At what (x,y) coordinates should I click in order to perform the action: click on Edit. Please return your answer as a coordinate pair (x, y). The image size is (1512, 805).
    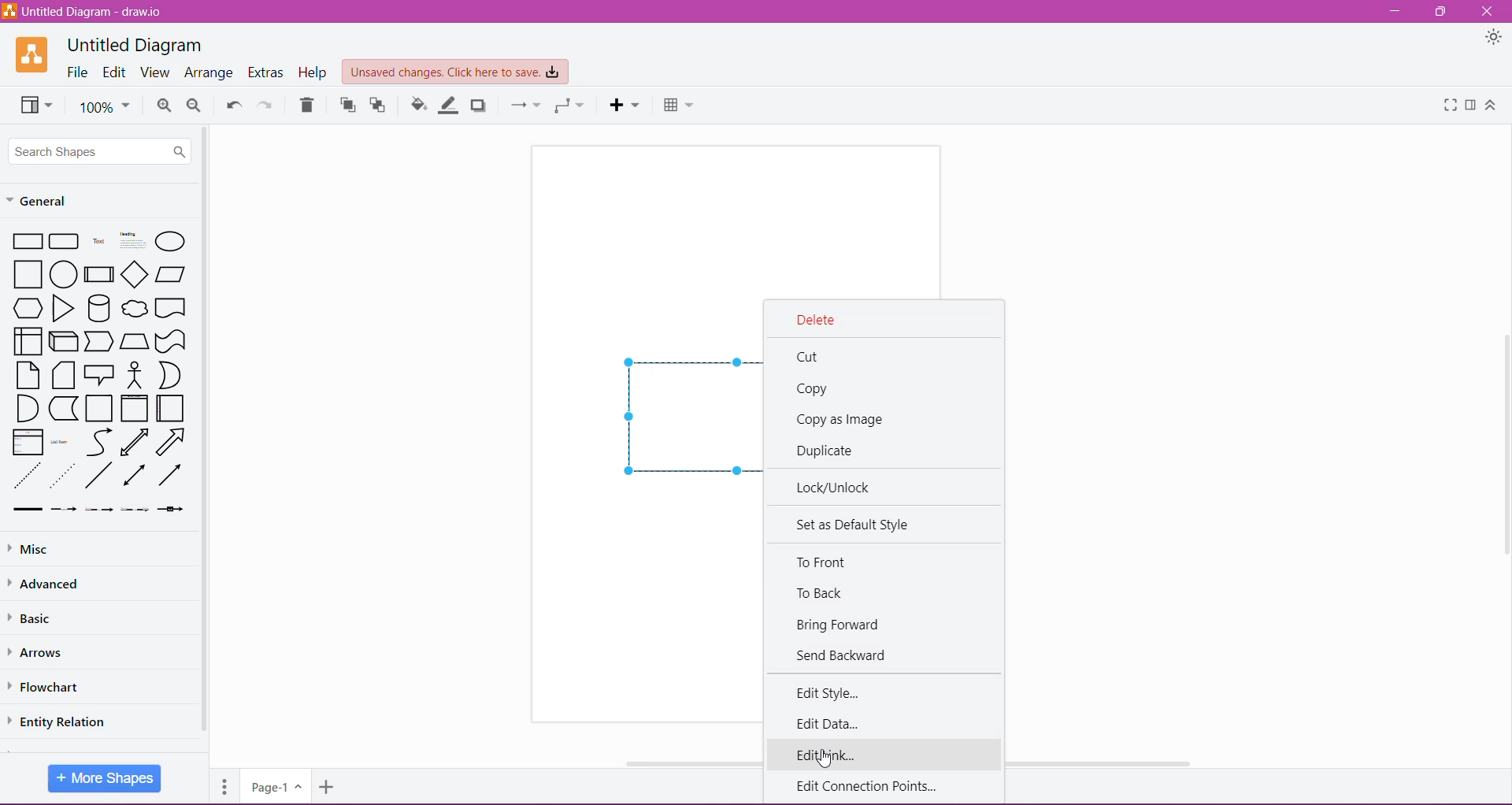
    Looking at the image, I should click on (114, 72).